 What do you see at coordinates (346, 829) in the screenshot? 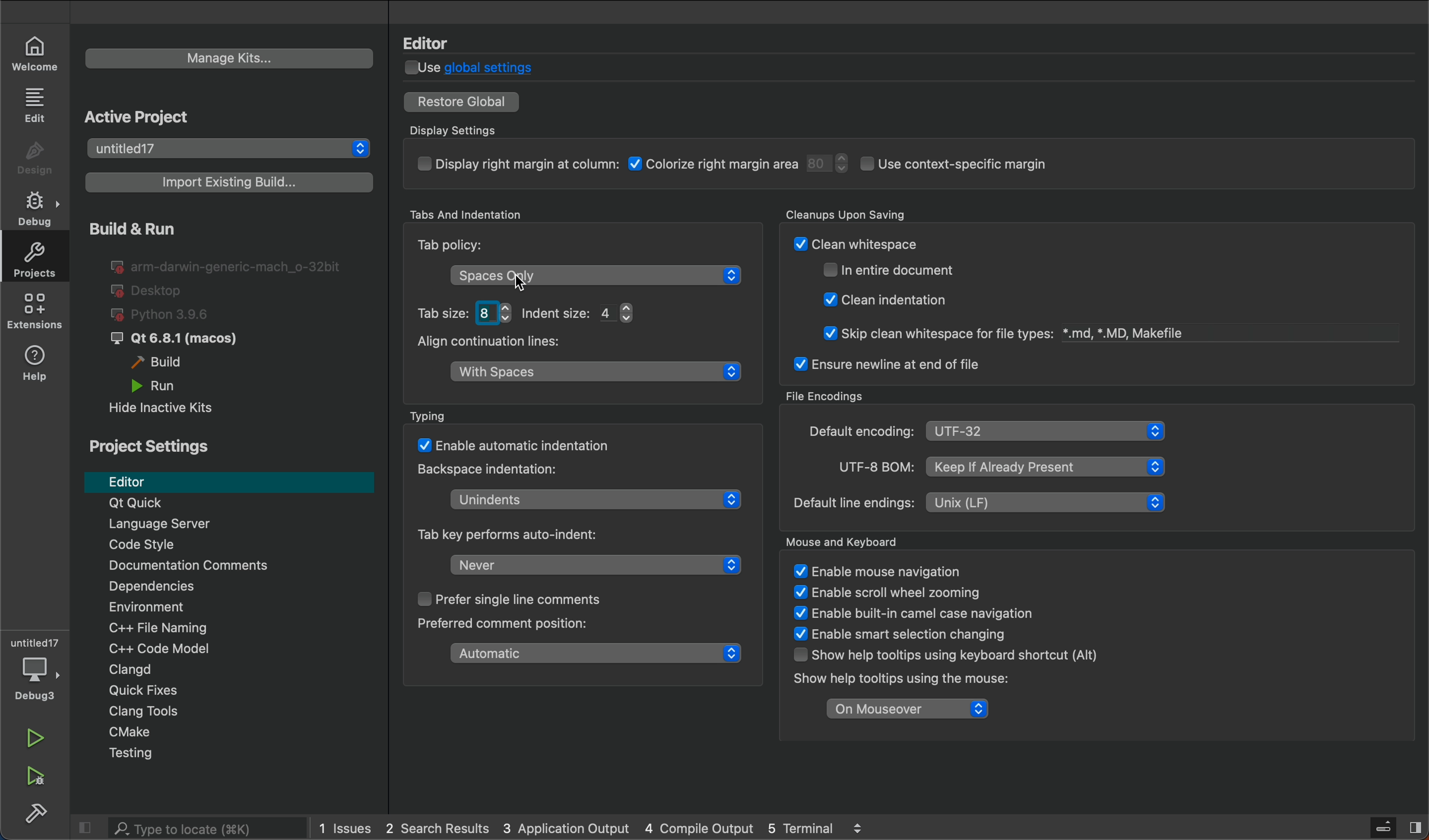
I see `issues` at bounding box center [346, 829].